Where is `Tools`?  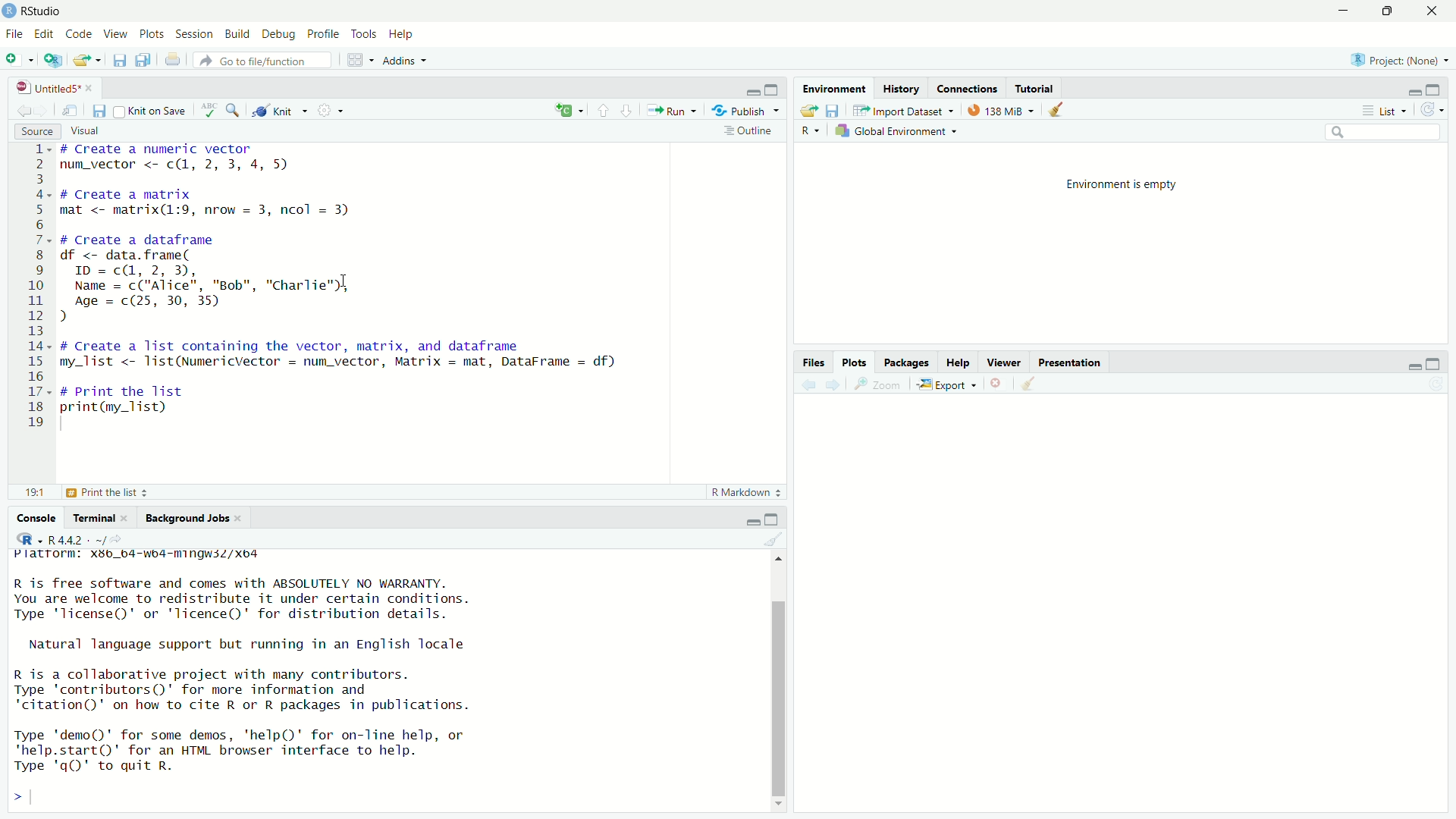
Tools is located at coordinates (362, 34).